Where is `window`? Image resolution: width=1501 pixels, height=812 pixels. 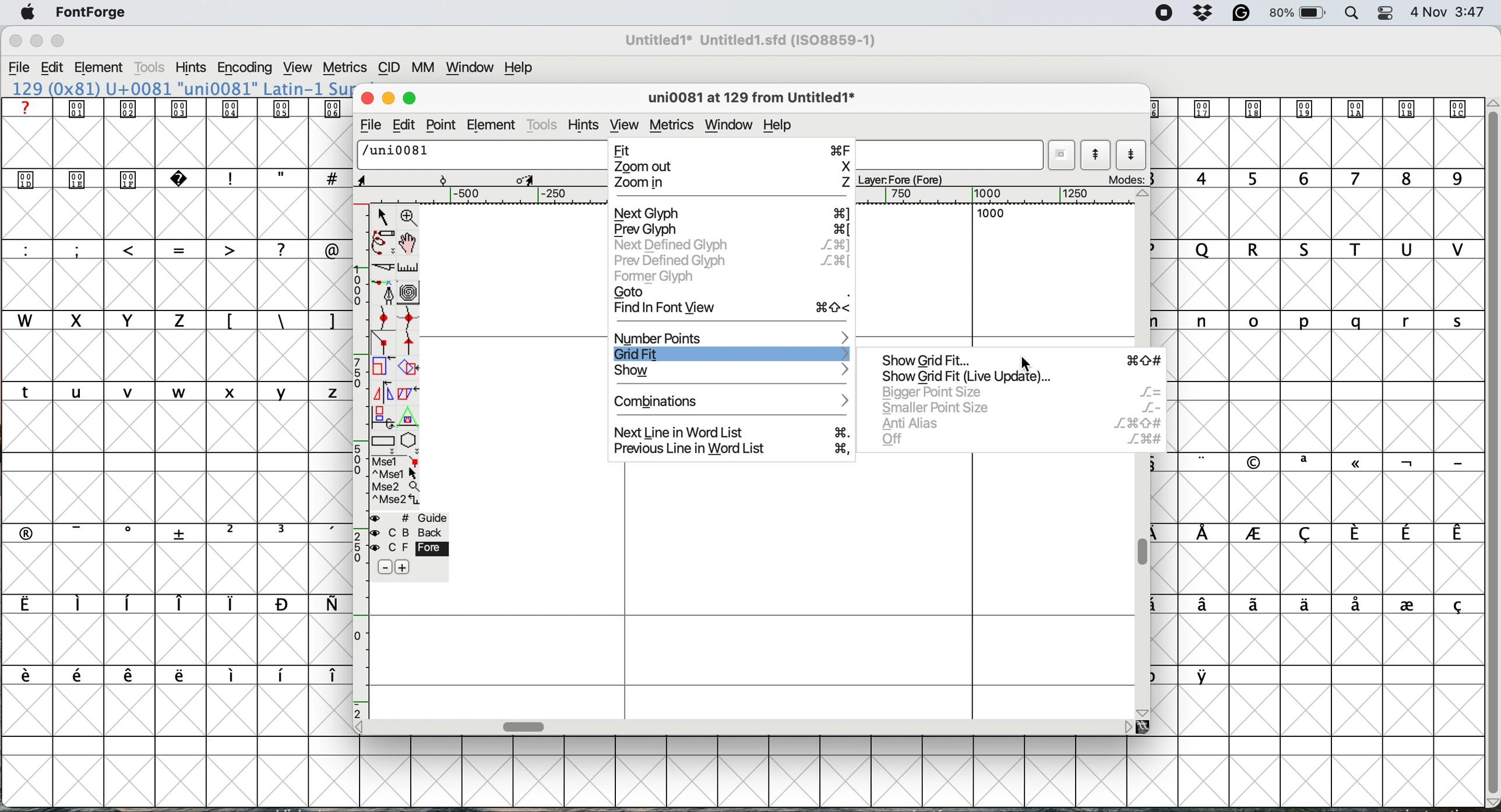 window is located at coordinates (729, 125).